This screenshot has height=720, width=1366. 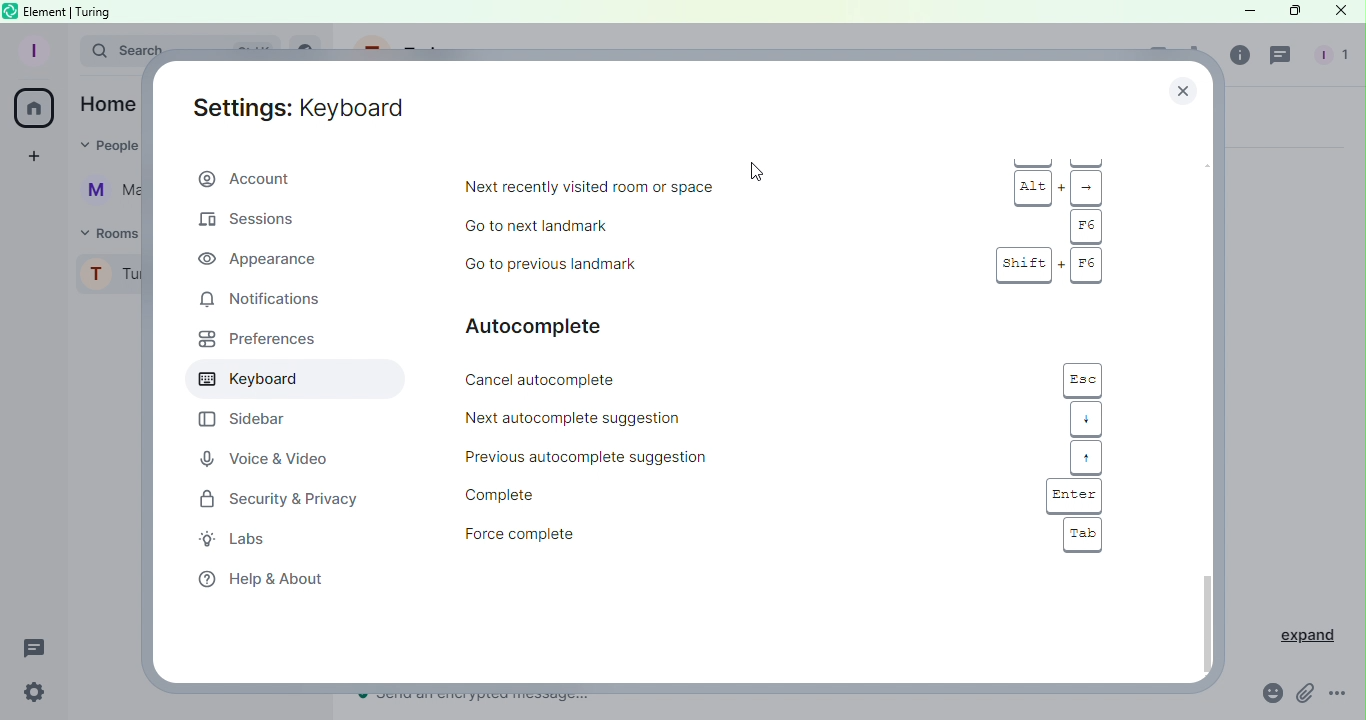 I want to click on Account, so click(x=297, y=177).